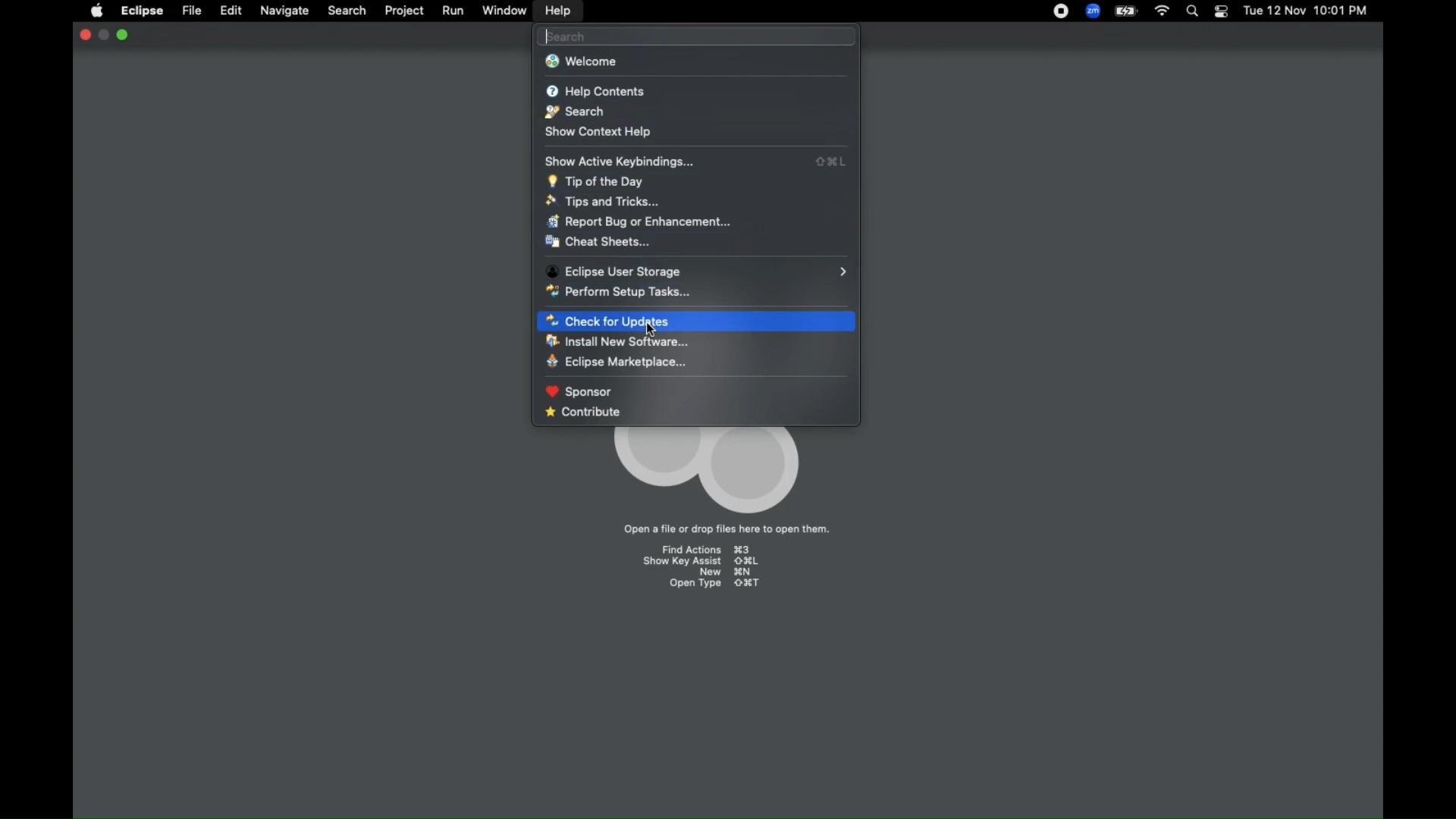  What do you see at coordinates (723, 573) in the screenshot?
I see `new ` at bounding box center [723, 573].